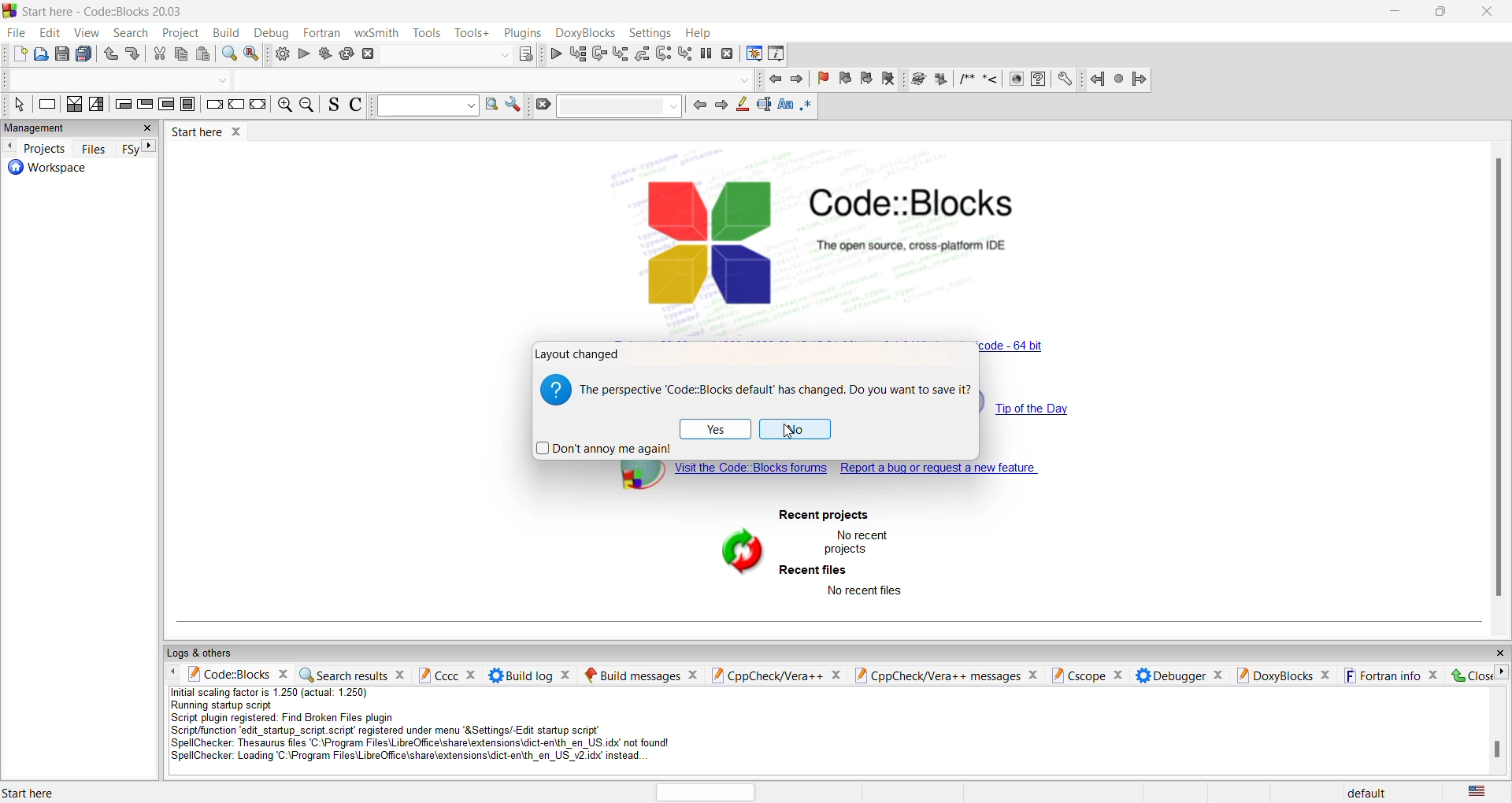 Image resolution: width=1512 pixels, height=803 pixels. I want to click on start here tab, so click(196, 131).